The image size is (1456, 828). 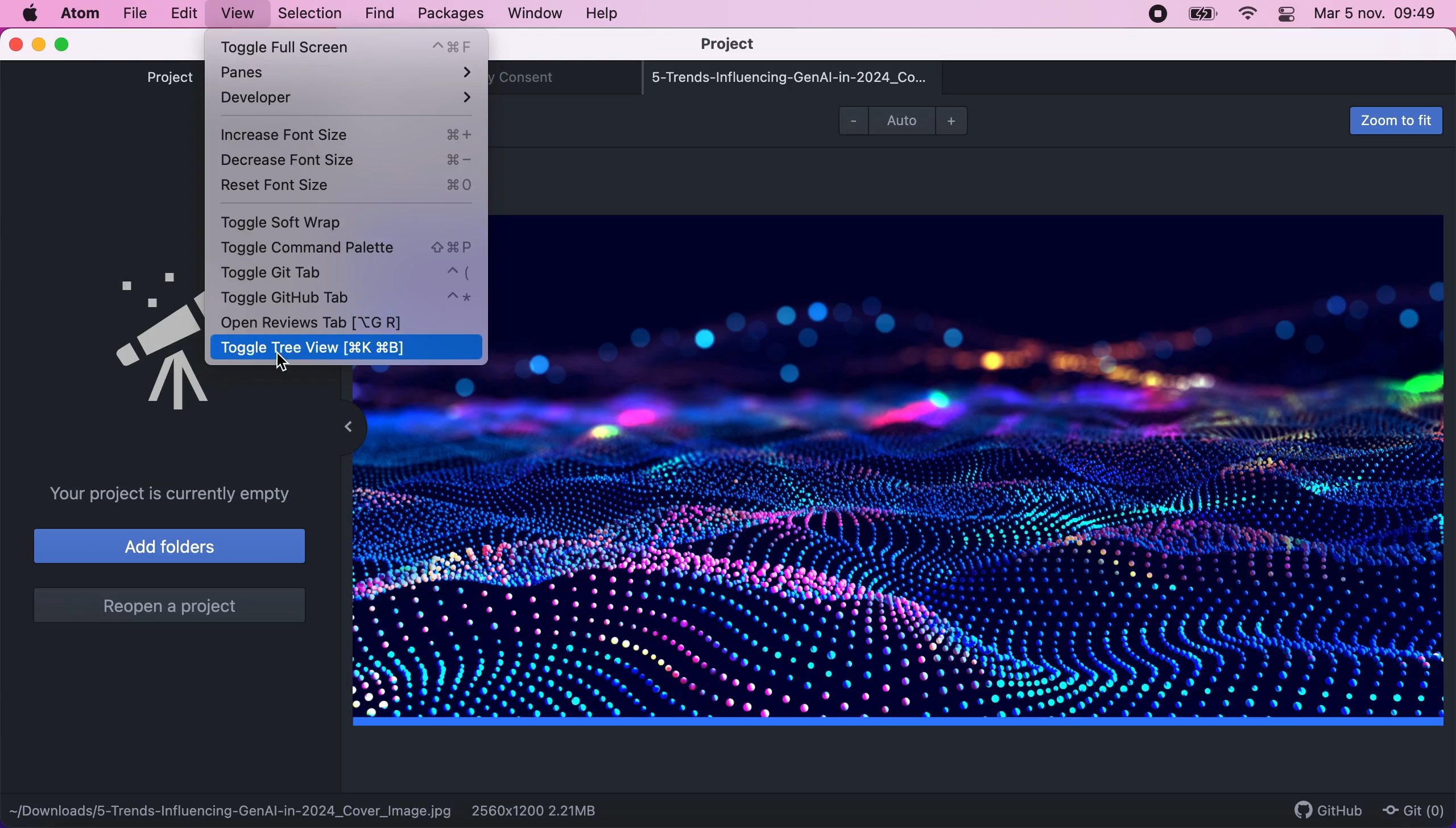 I want to click on 2560x1200 2.21mb, so click(x=545, y=810).